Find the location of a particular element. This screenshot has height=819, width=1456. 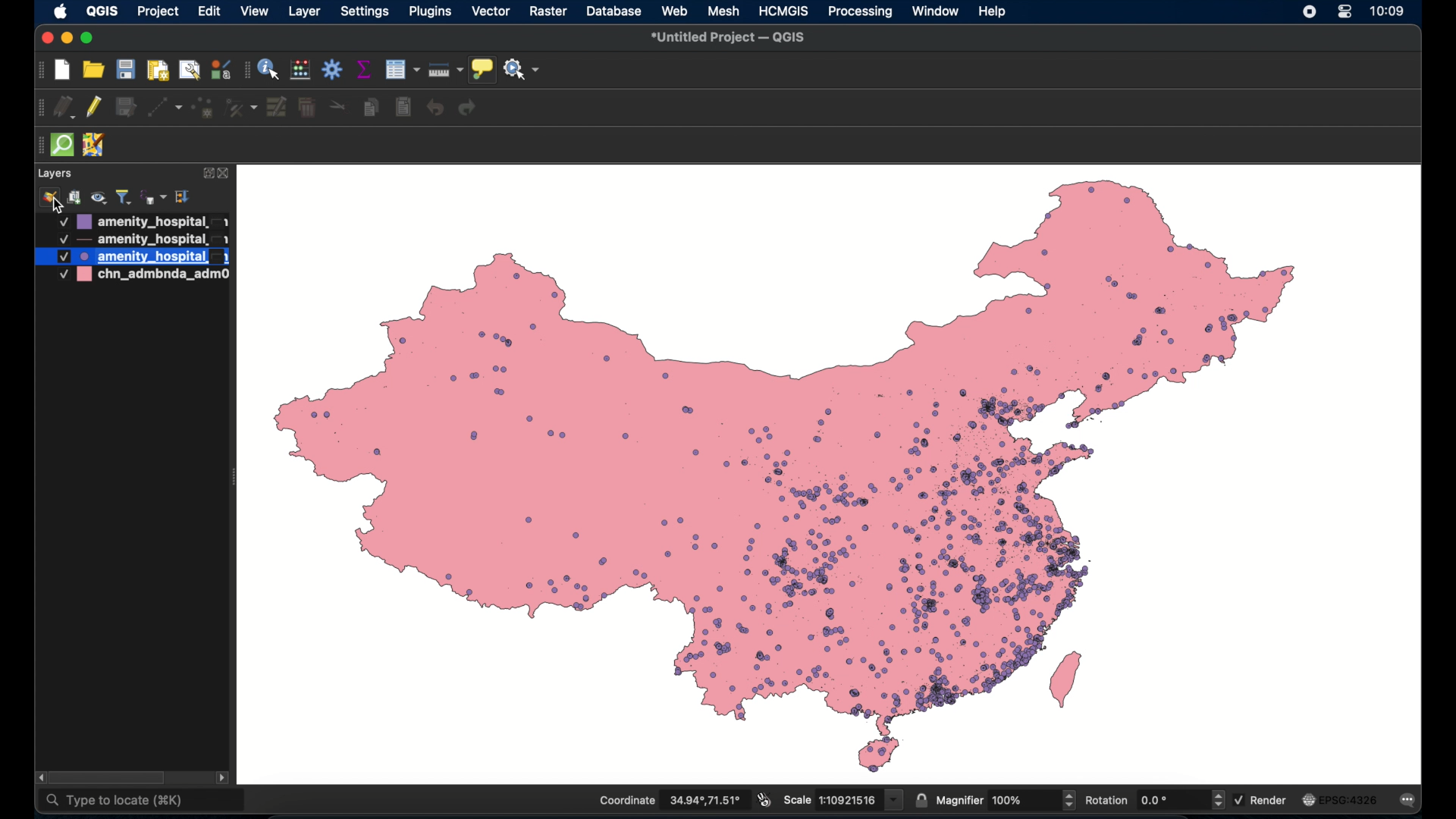

mesh is located at coordinates (723, 11).